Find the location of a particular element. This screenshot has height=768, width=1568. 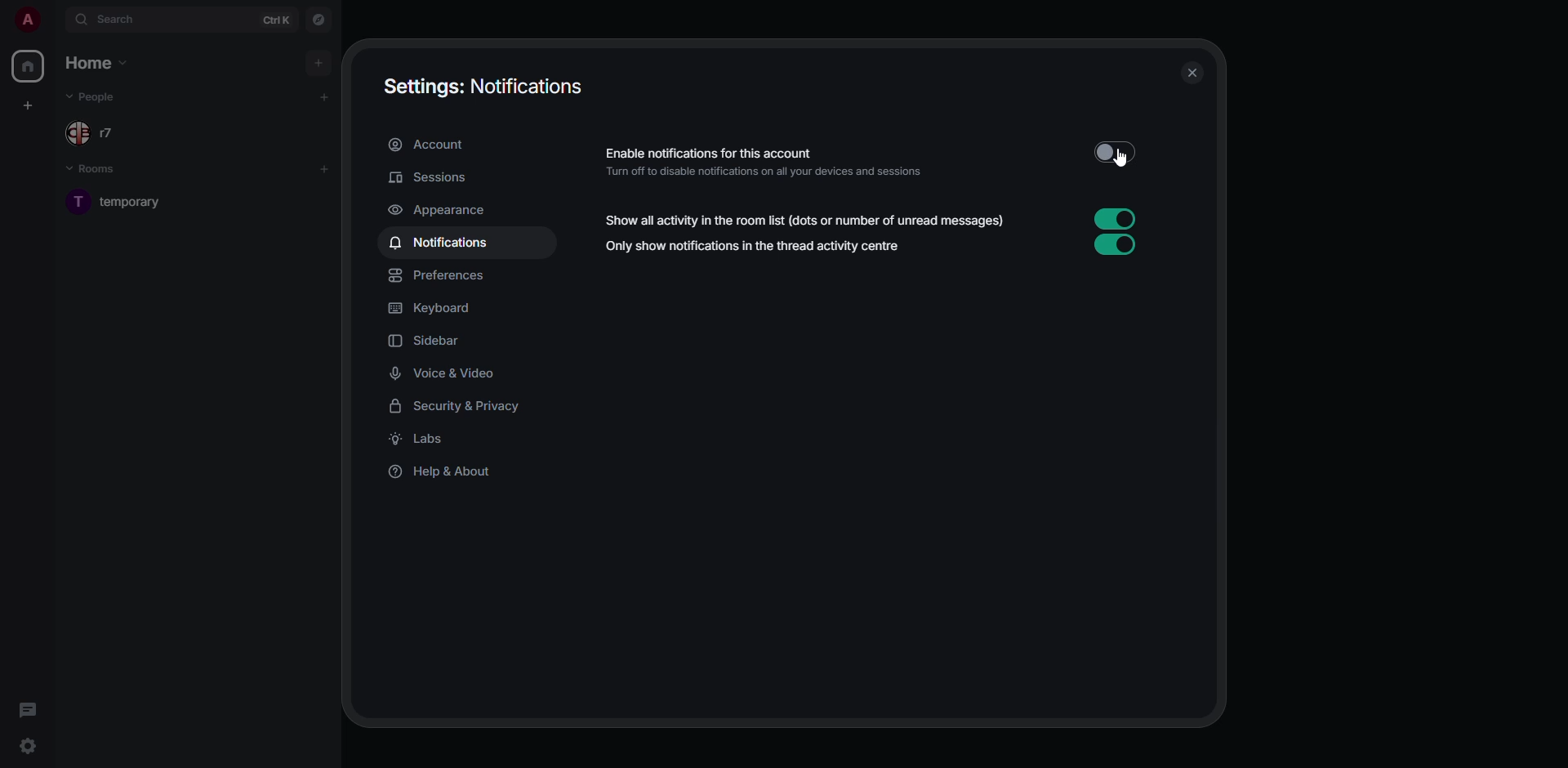

room is located at coordinates (133, 205).